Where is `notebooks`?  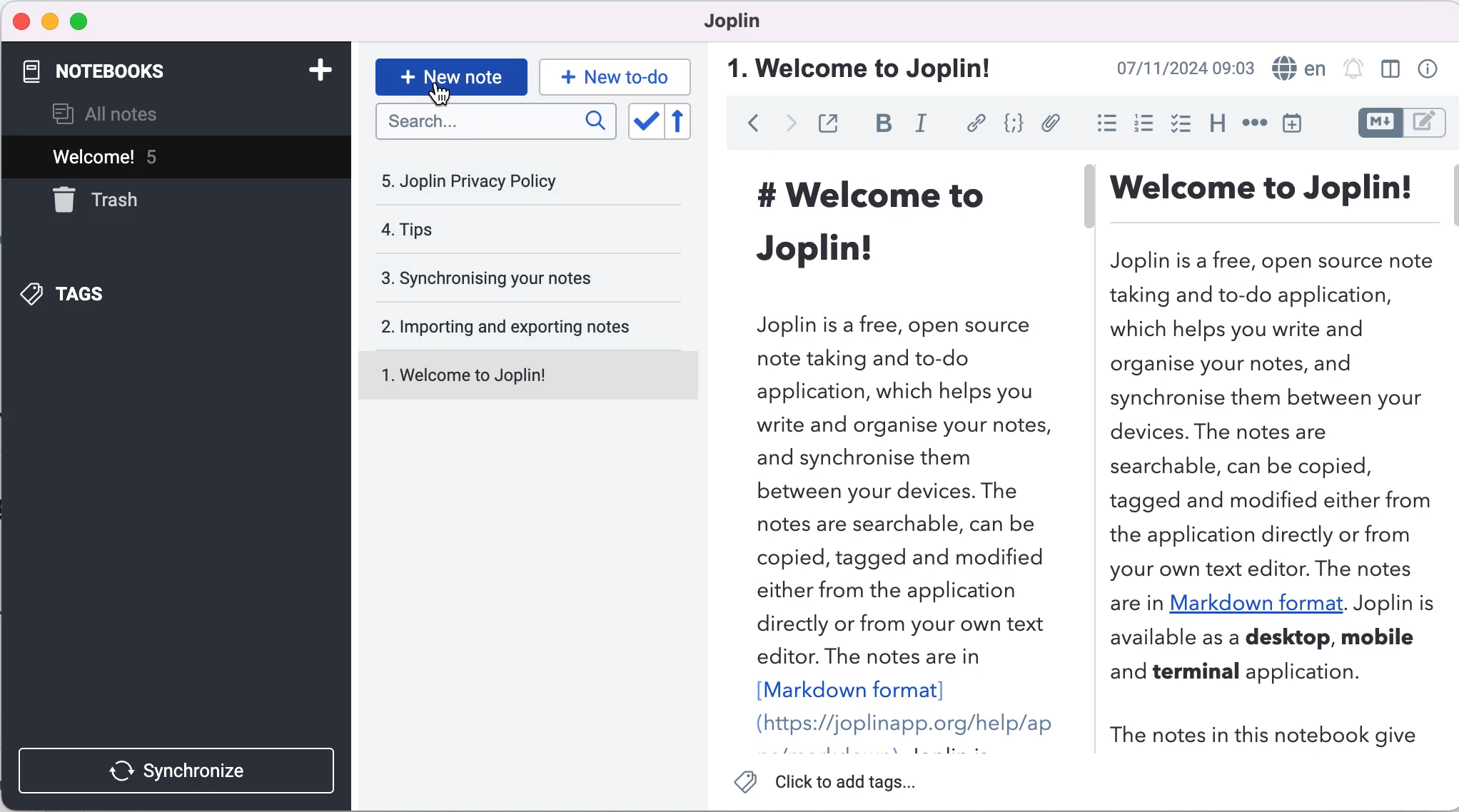 notebooks is located at coordinates (158, 71).